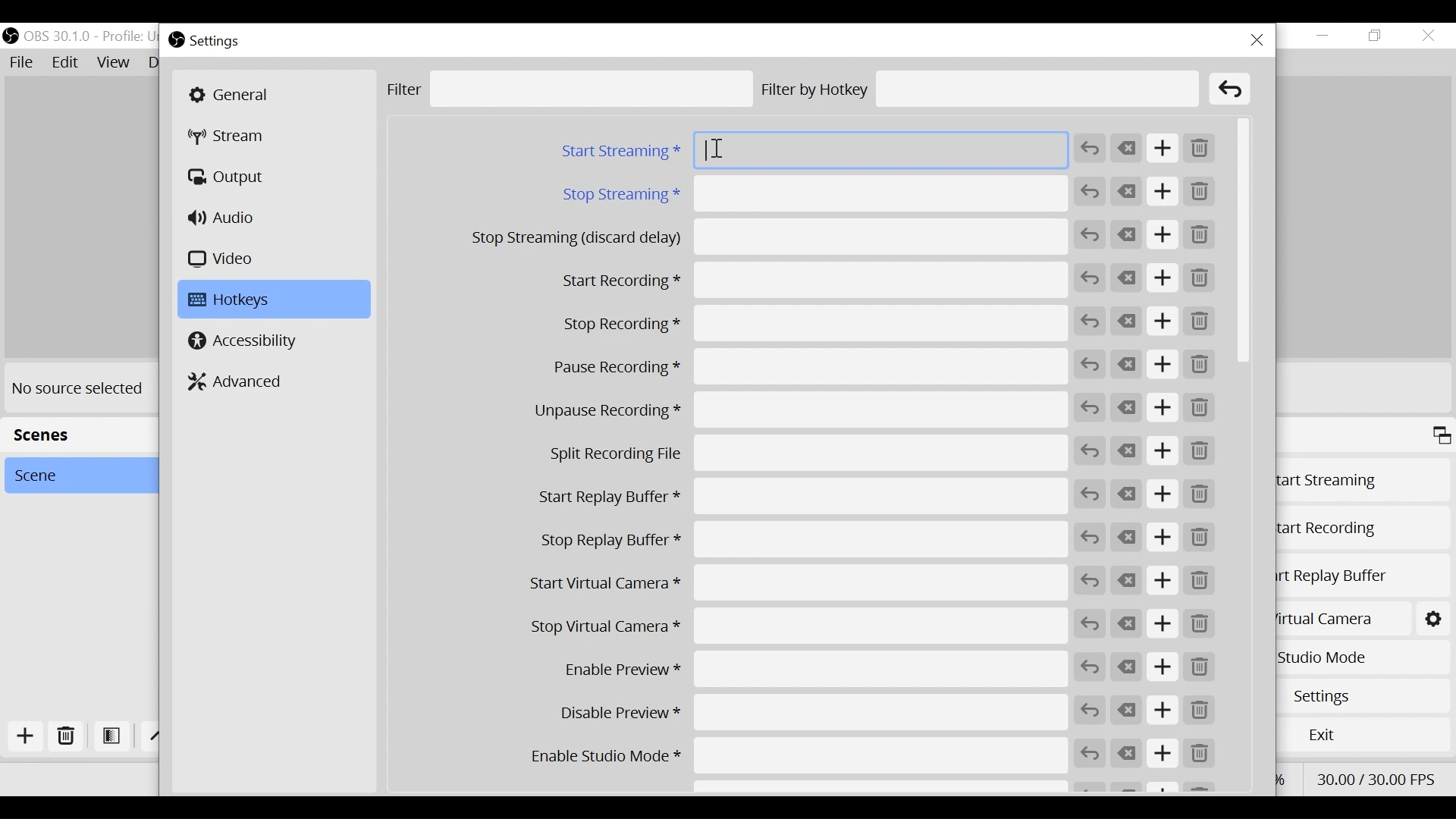  What do you see at coordinates (1090, 320) in the screenshot?
I see `Revert` at bounding box center [1090, 320].